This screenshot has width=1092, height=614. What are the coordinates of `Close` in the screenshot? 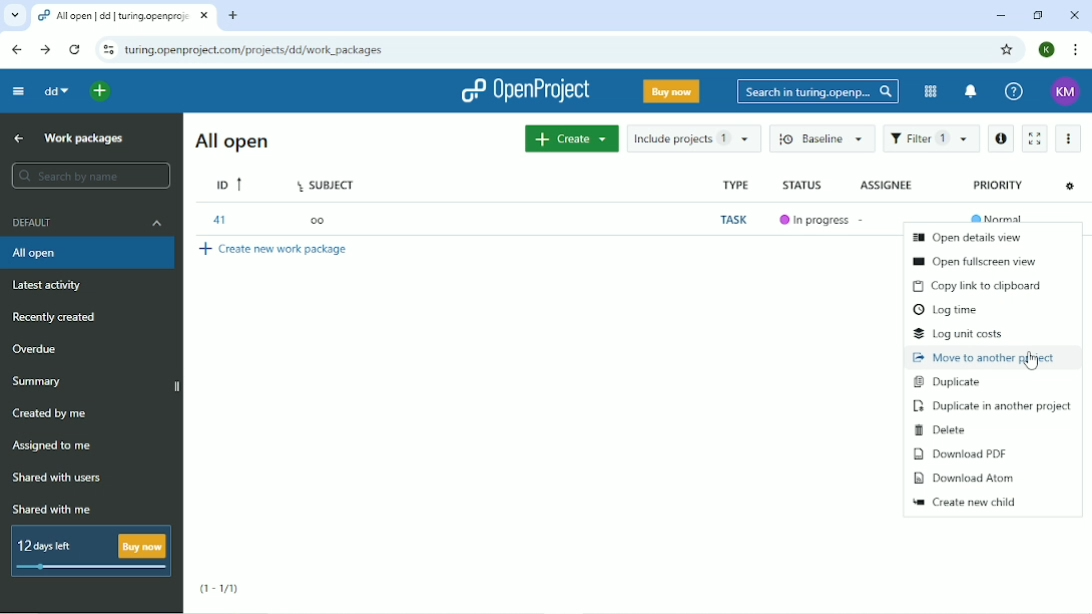 It's located at (1073, 16).